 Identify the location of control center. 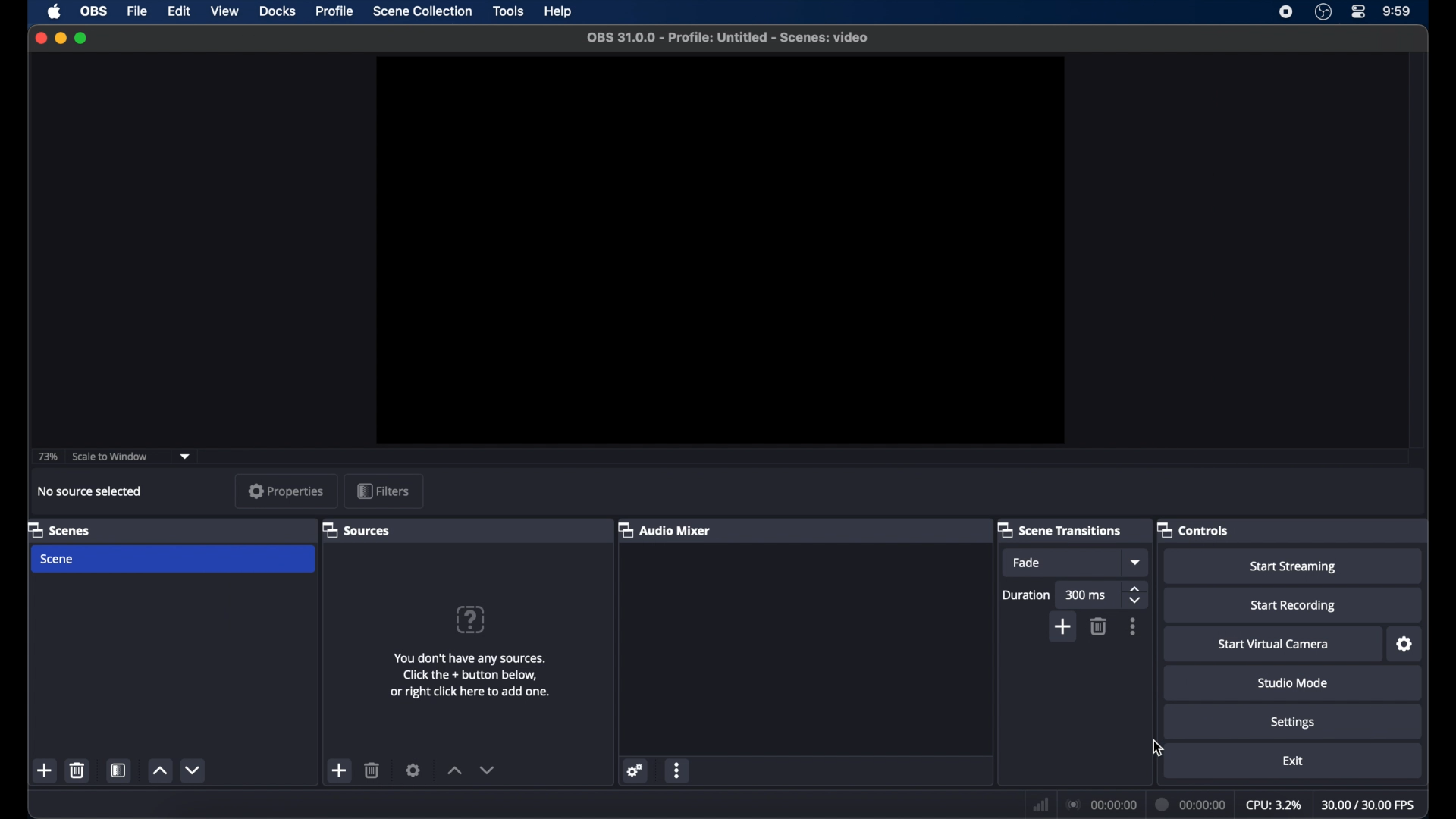
(1359, 12).